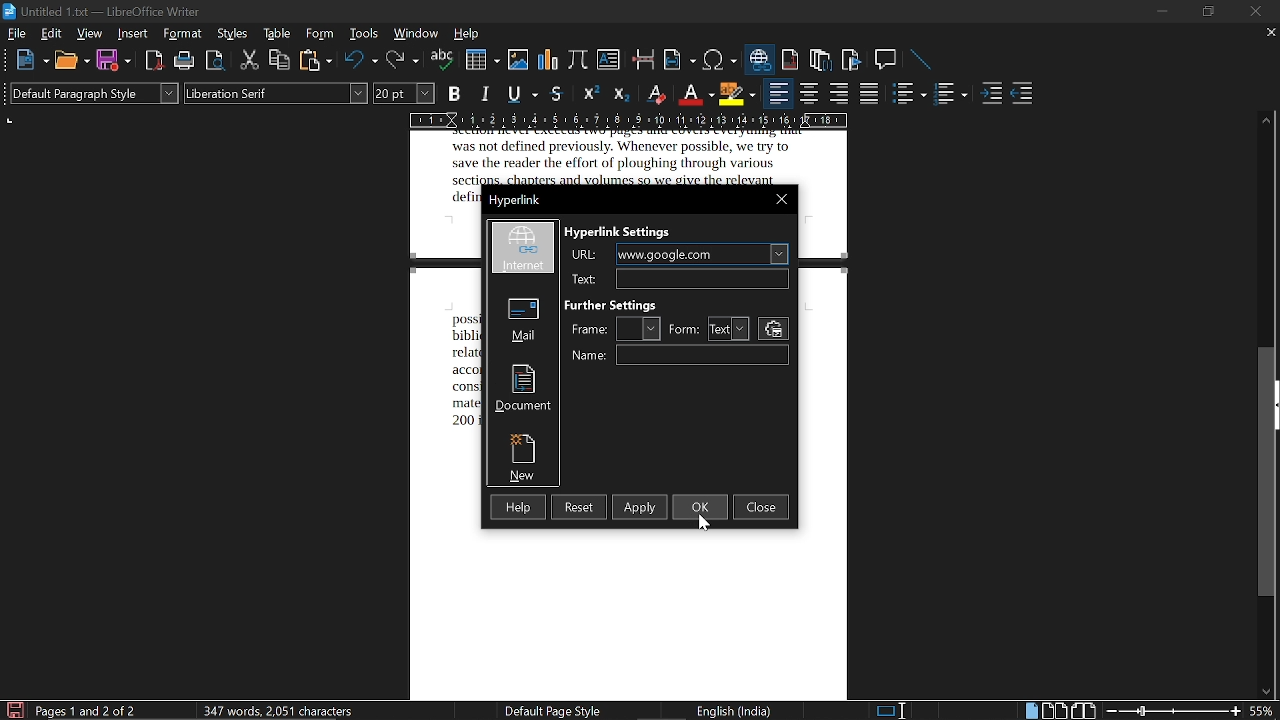 The height and width of the screenshot is (720, 1280). I want to click on font size, so click(405, 93).